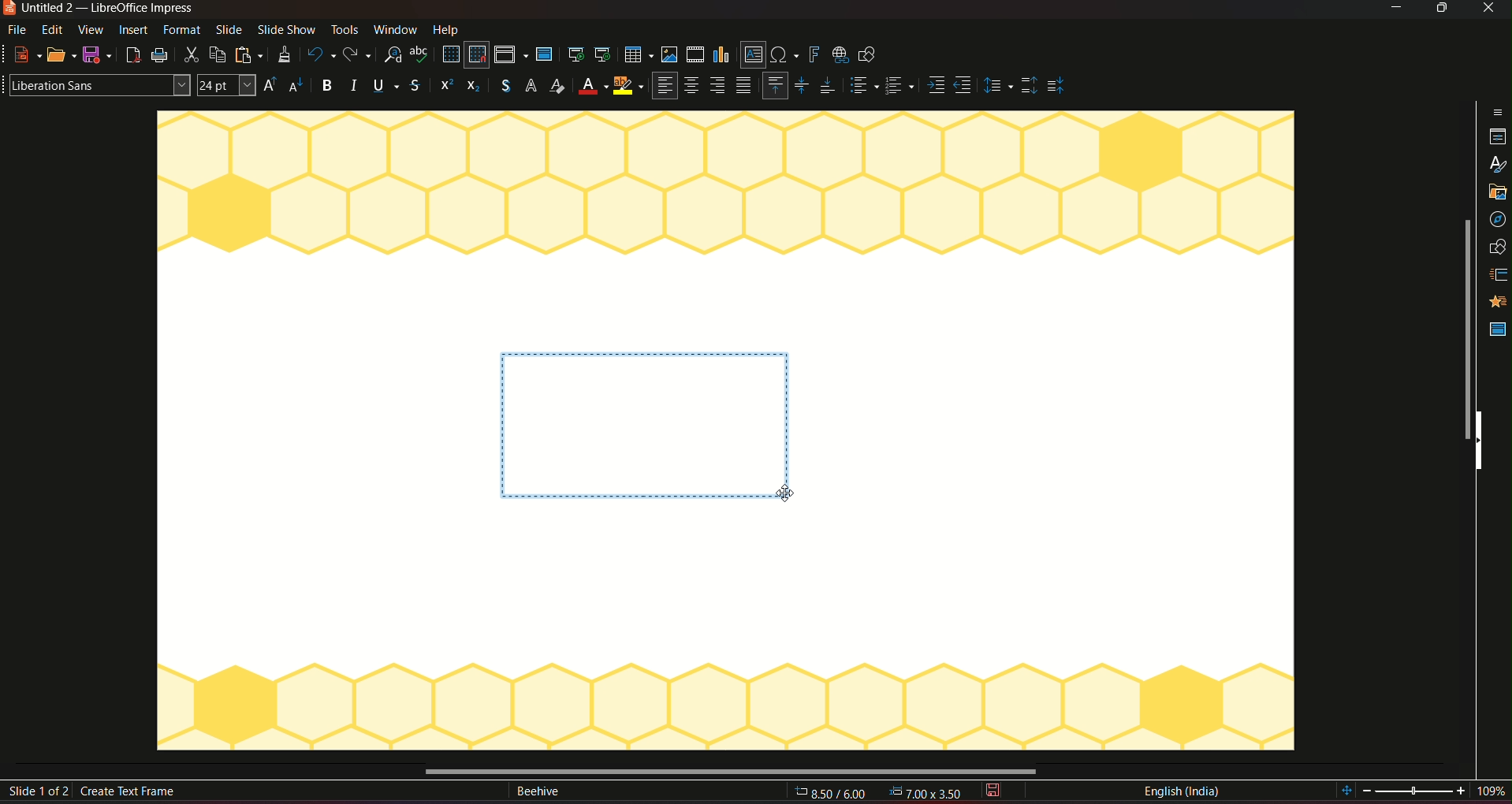 The image size is (1512, 804). Describe the element at coordinates (360, 54) in the screenshot. I see `redo` at that location.